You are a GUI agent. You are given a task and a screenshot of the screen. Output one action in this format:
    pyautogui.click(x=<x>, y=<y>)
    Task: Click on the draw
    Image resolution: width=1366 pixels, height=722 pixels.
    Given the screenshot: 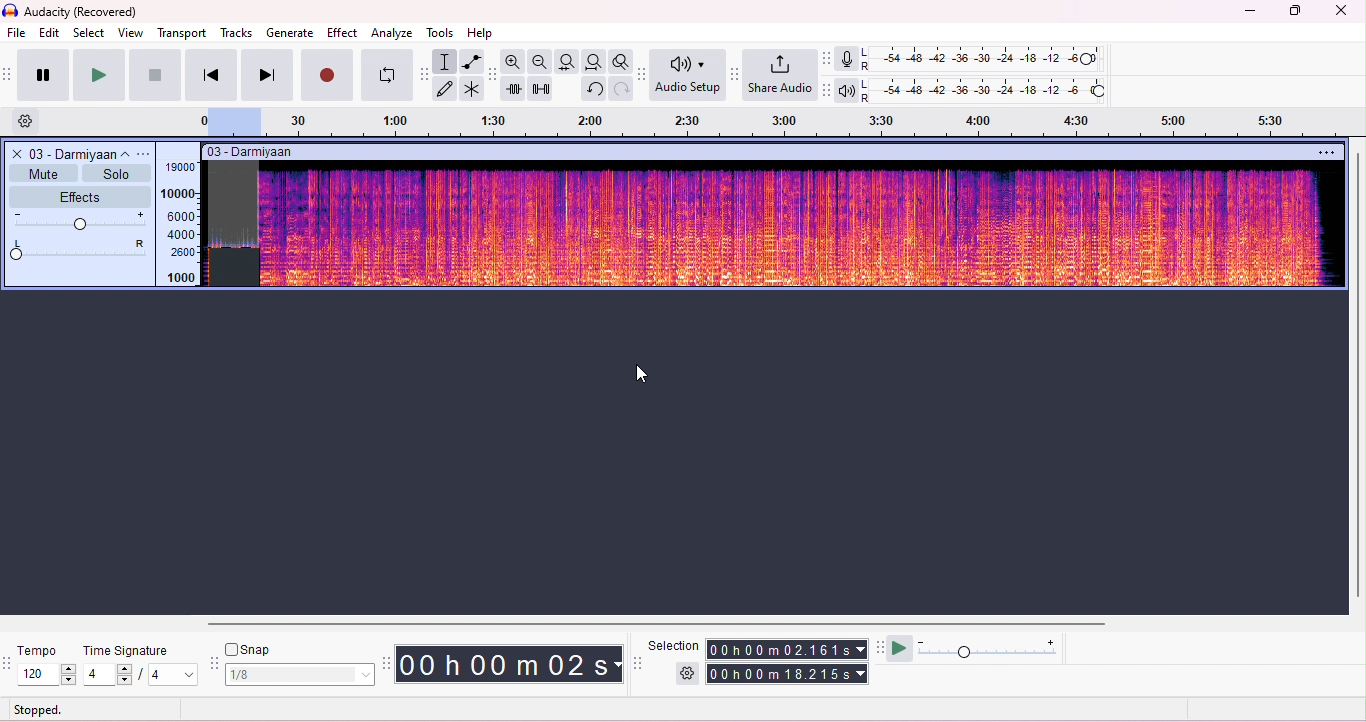 What is the action you would take?
    pyautogui.click(x=447, y=88)
    